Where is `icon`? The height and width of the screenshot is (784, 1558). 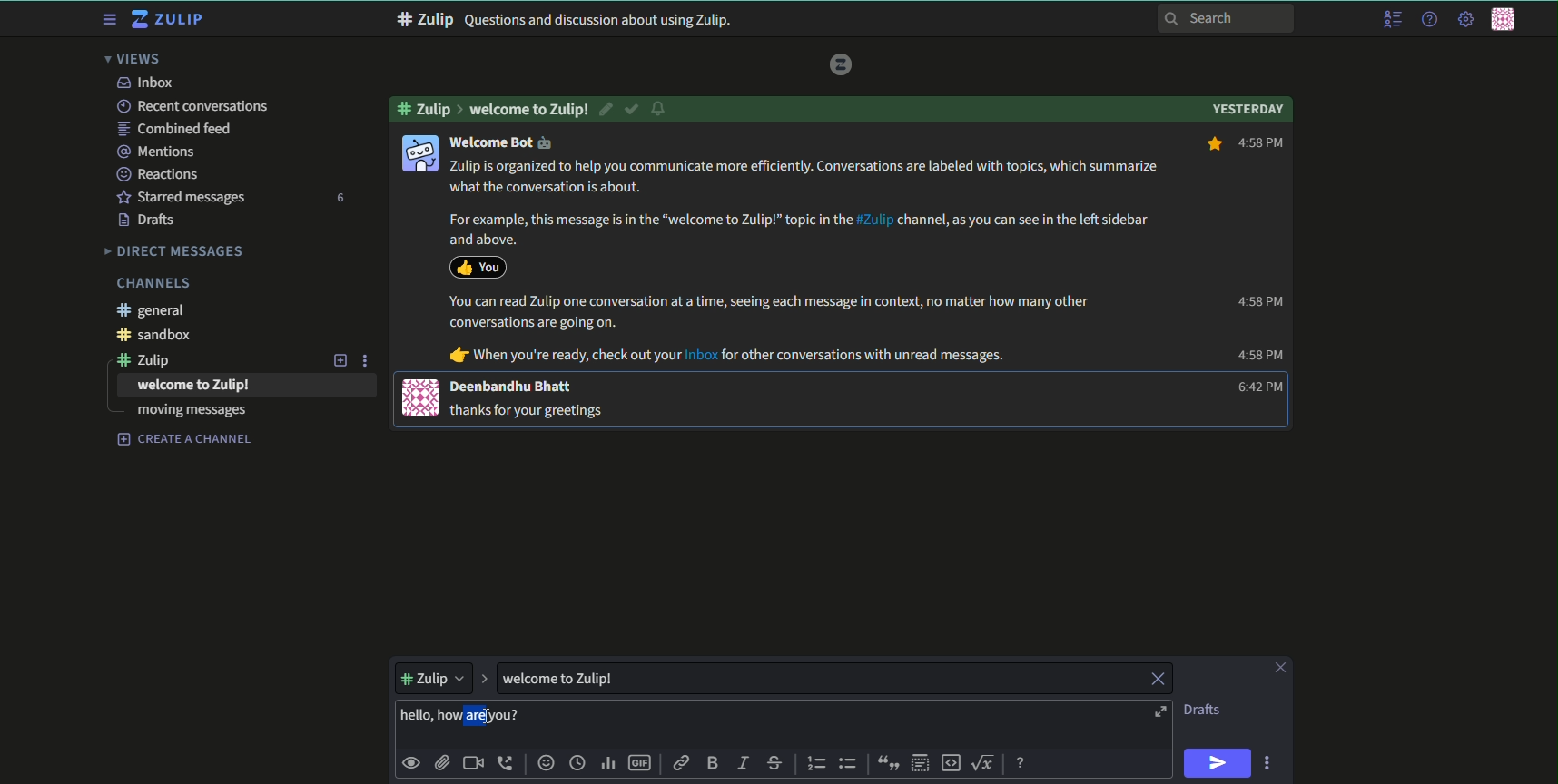
icon is located at coordinates (419, 152).